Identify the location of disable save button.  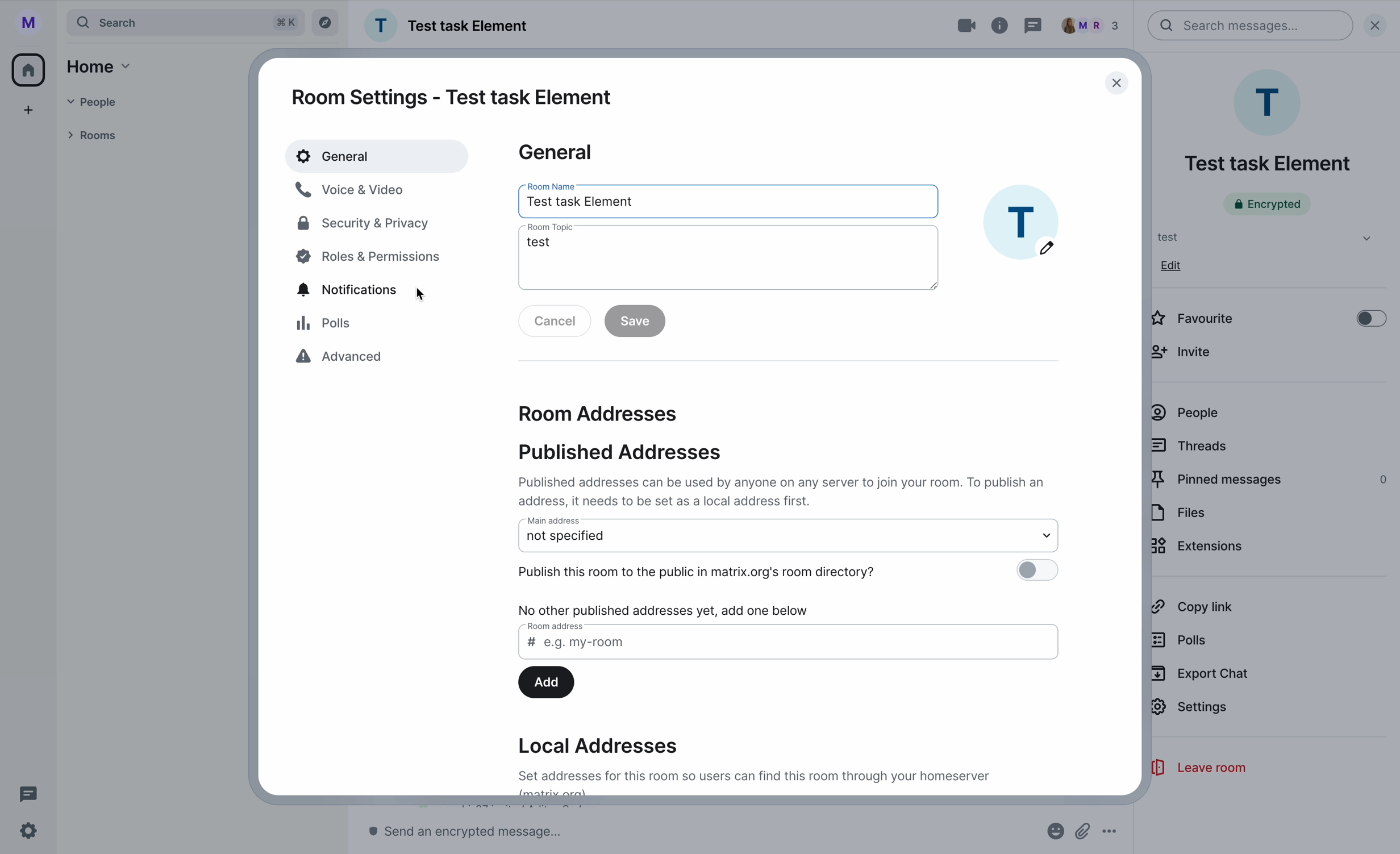
(634, 322).